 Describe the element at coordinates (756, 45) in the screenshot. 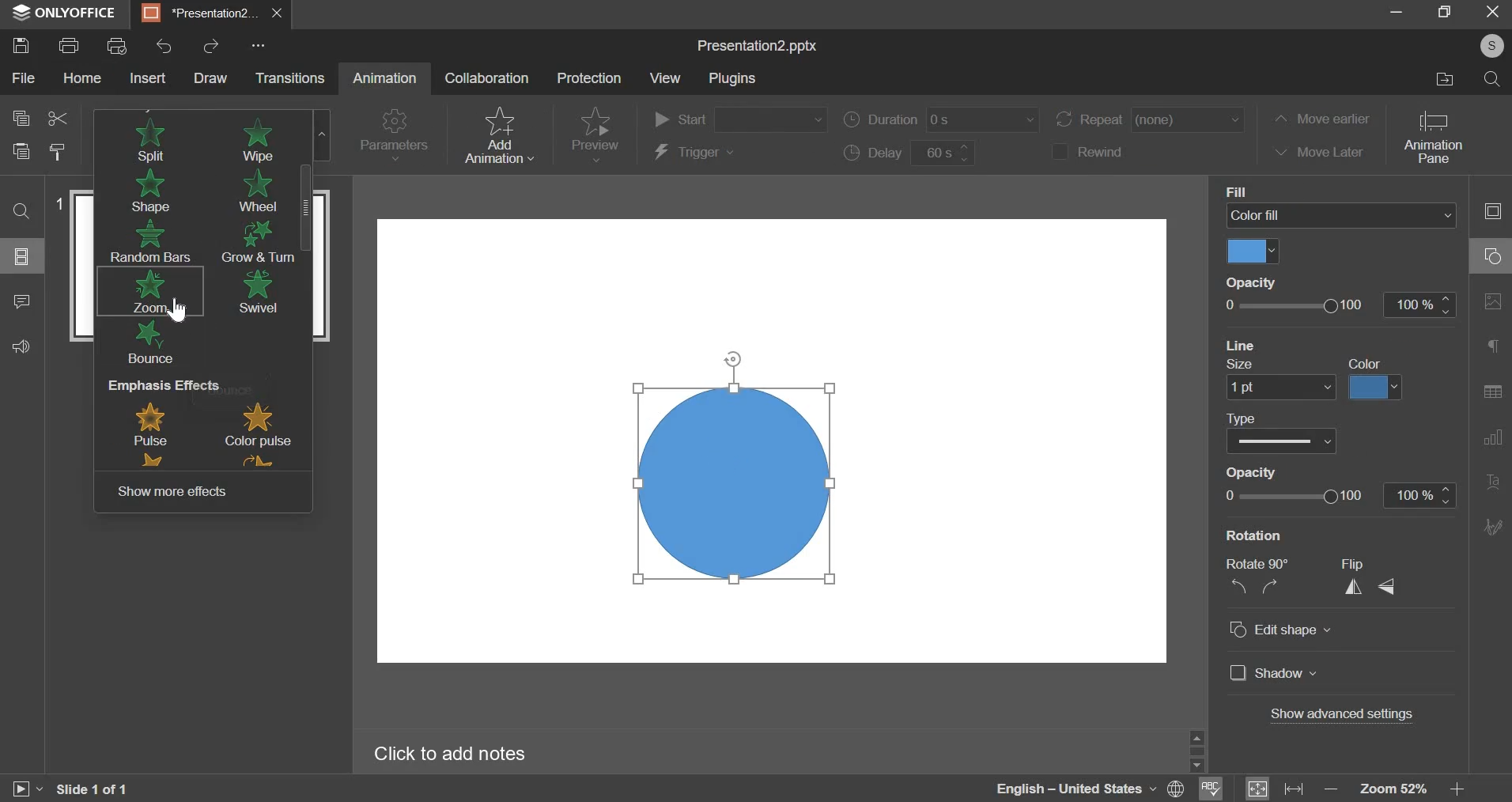

I see `presentation name` at that location.